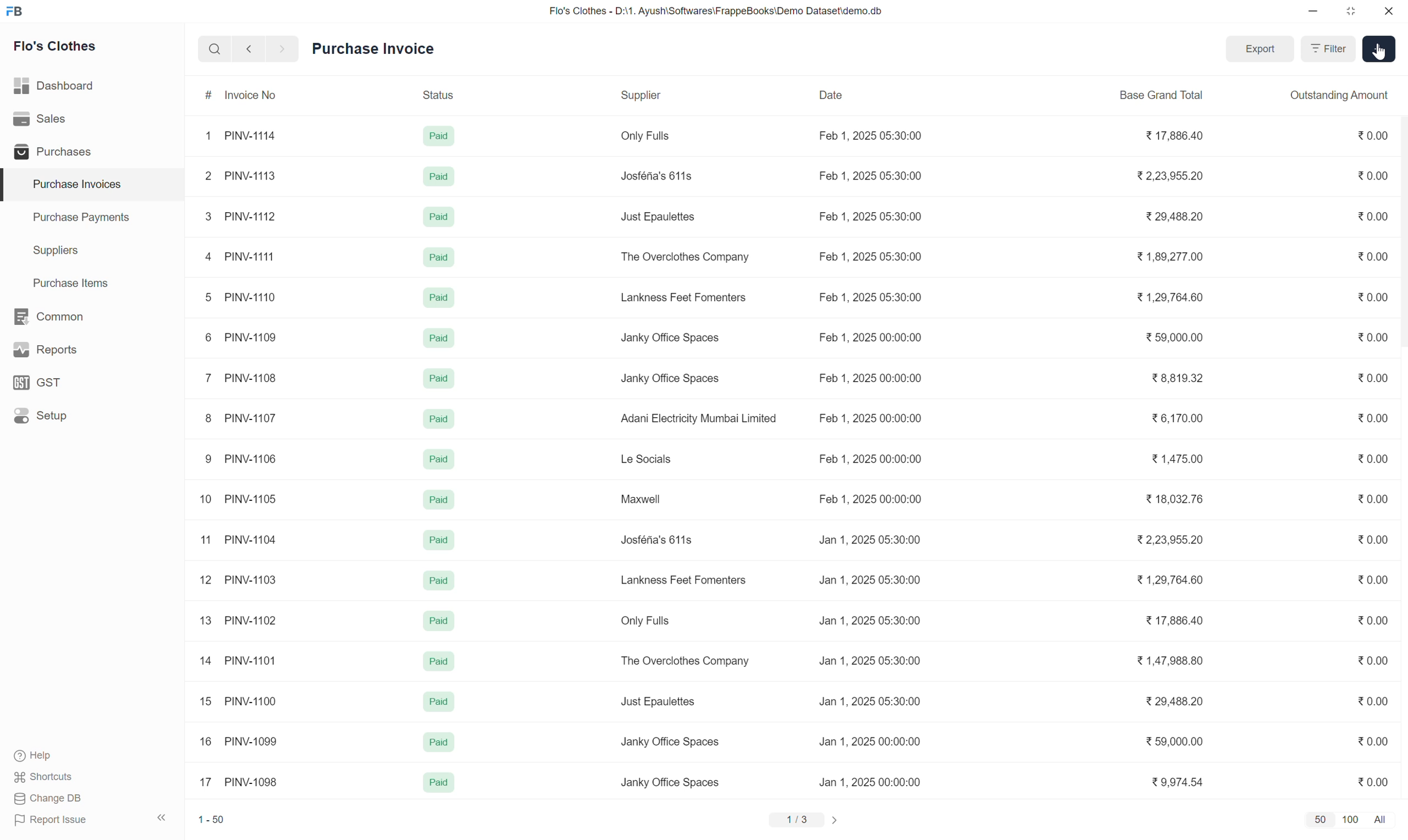 This screenshot has width=1408, height=840. Describe the element at coordinates (1174, 498) in the screenshot. I see `18,032.76` at that location.